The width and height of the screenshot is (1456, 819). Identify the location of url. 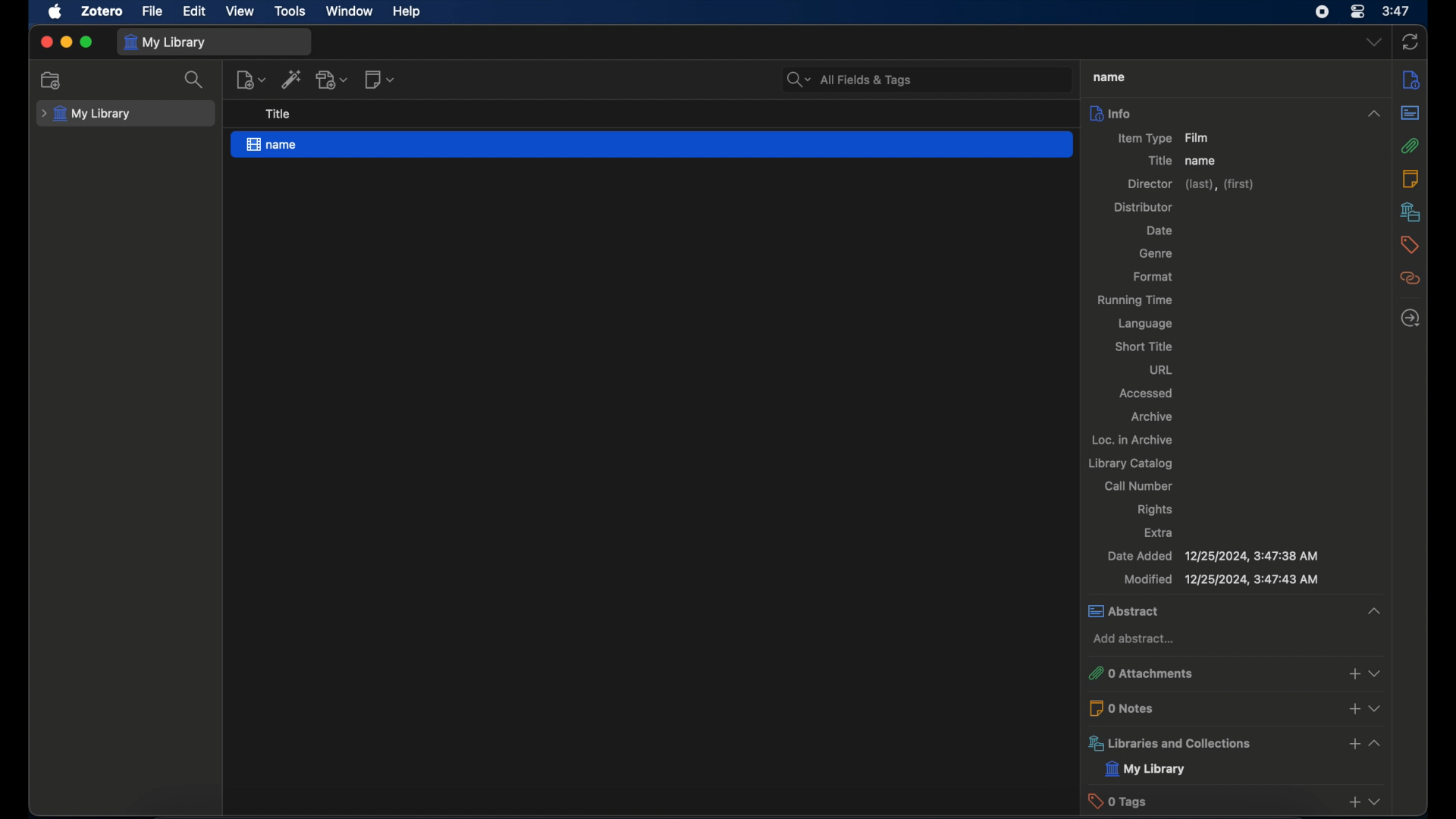
(1162, 369).